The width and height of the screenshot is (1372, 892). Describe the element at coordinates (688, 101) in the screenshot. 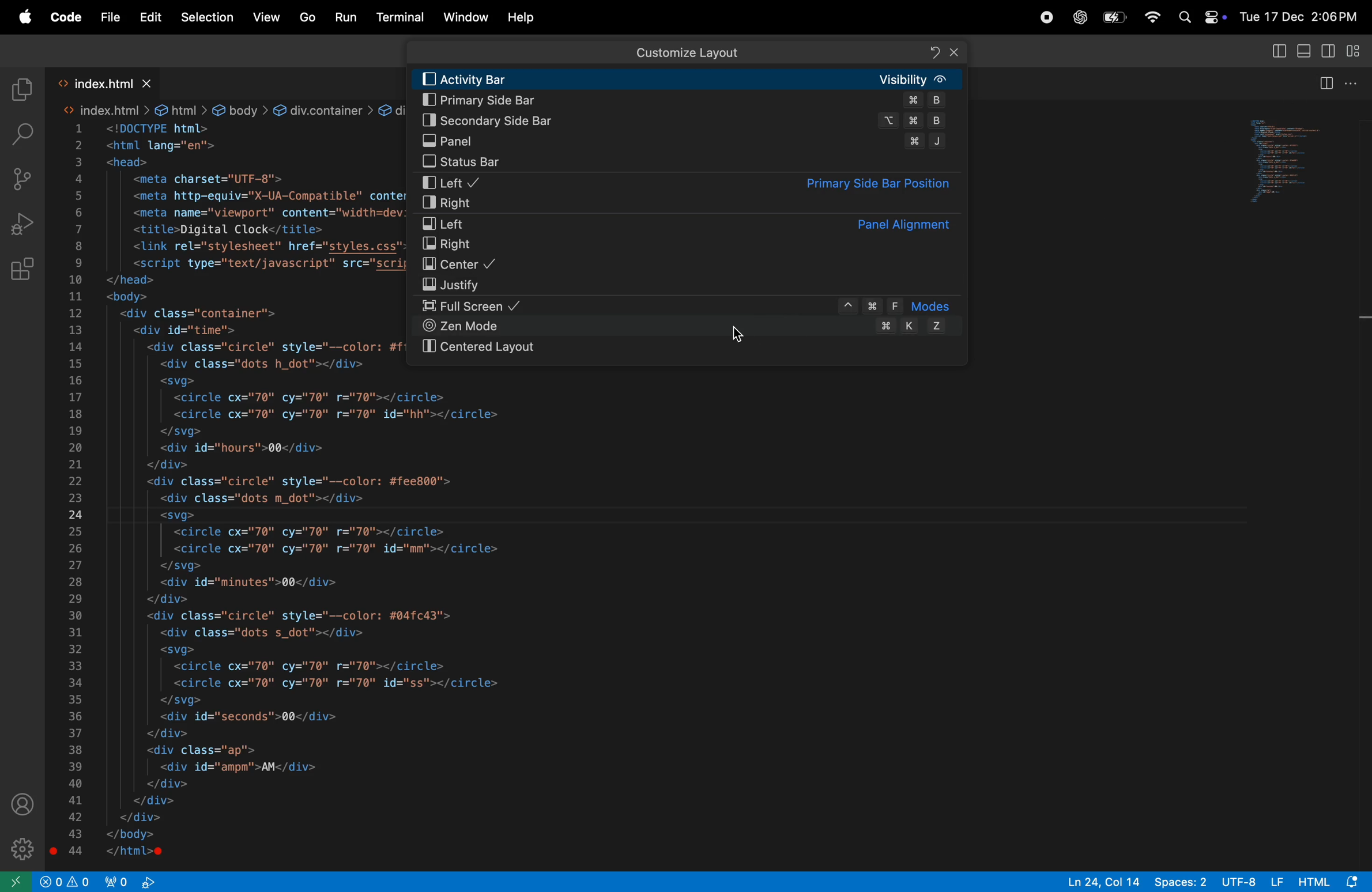

I see `primary side bar` at that location.